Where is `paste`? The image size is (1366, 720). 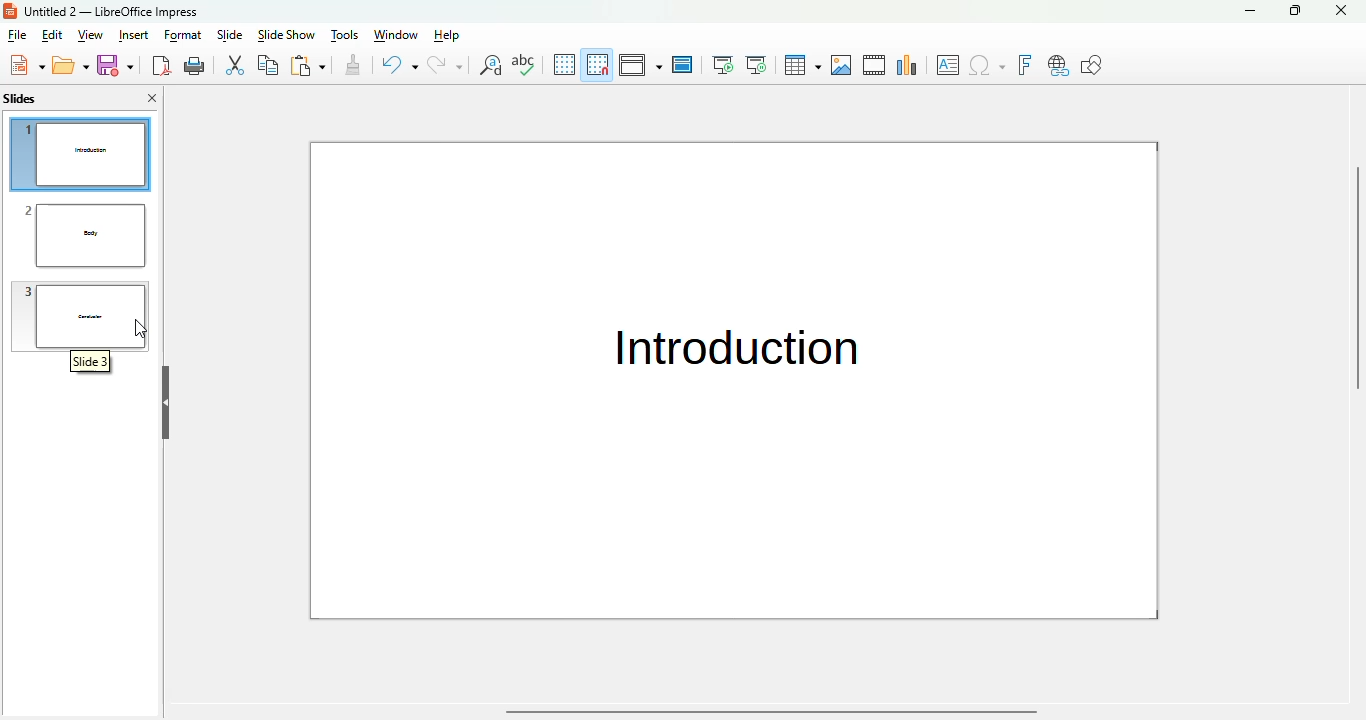
paste is located at coordinates (307, 65).